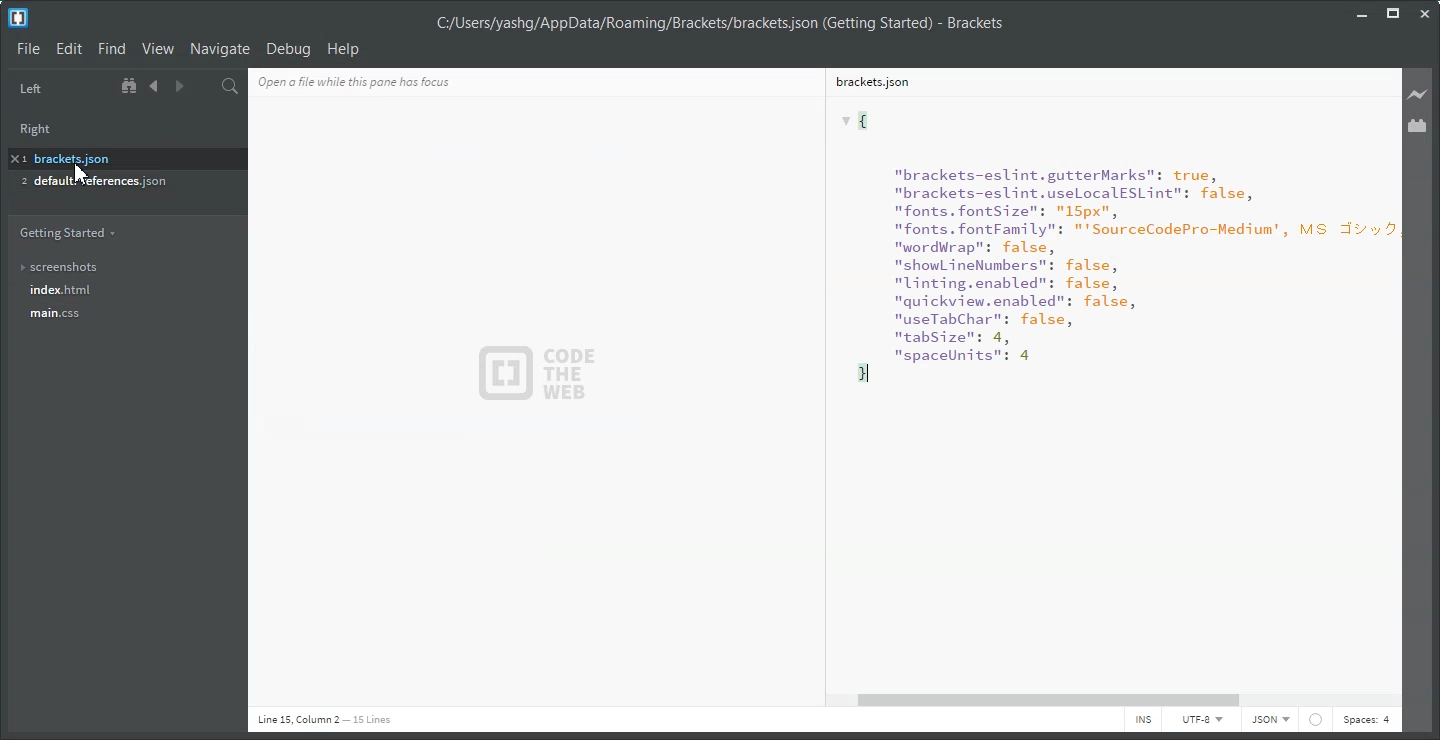  Describe the element at coordinates (124, 291) in the screenshot. I see `index.html` at that location.